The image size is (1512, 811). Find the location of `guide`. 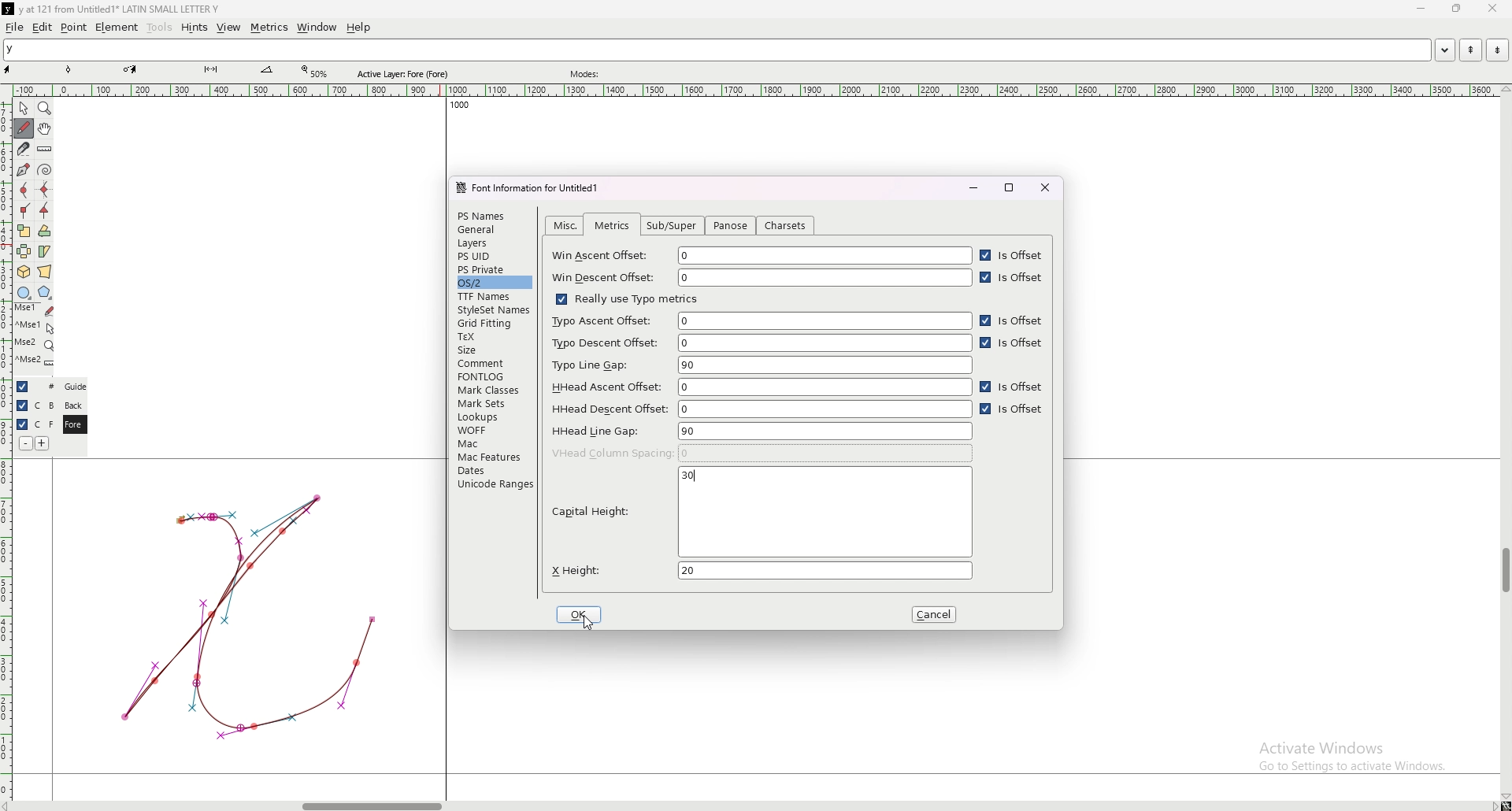

guide is located at coordinates (75, 387).